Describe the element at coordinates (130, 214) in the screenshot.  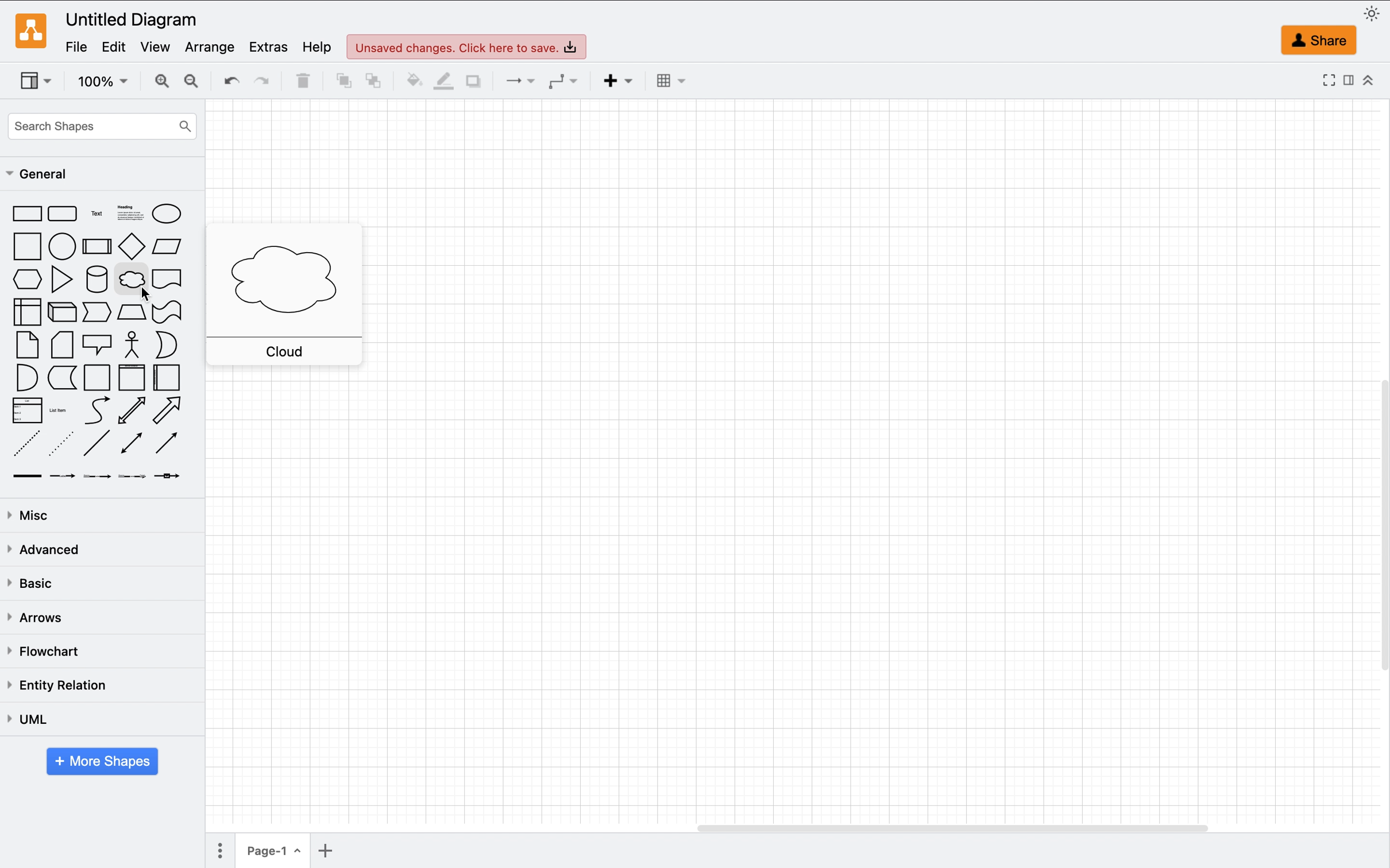
I see `heading` at that location.